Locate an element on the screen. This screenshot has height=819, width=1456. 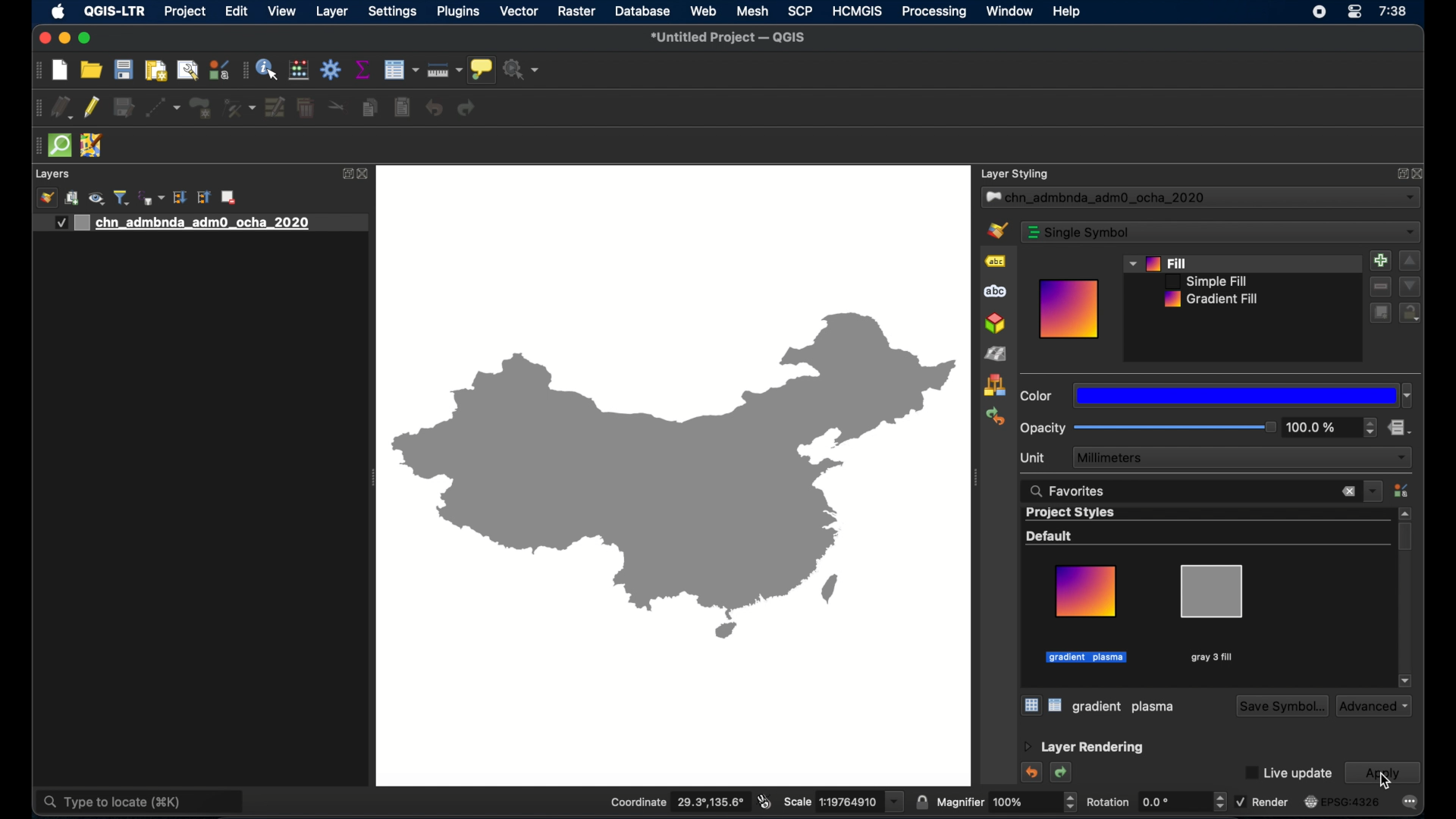
close is located at coordinates (1348, 492).